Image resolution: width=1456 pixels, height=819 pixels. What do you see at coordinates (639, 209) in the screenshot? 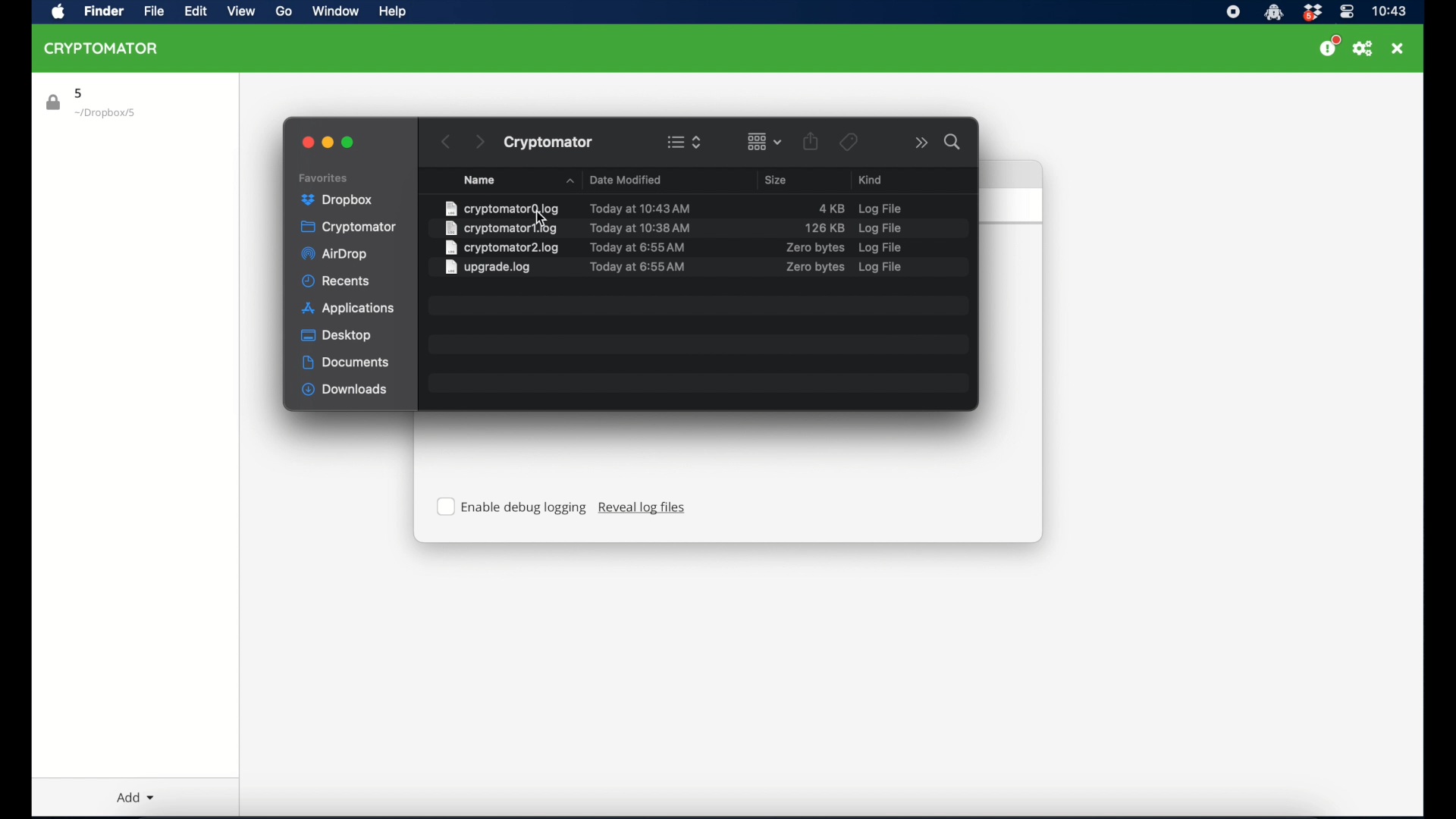
I see `date` at bounding box center [639, 209].